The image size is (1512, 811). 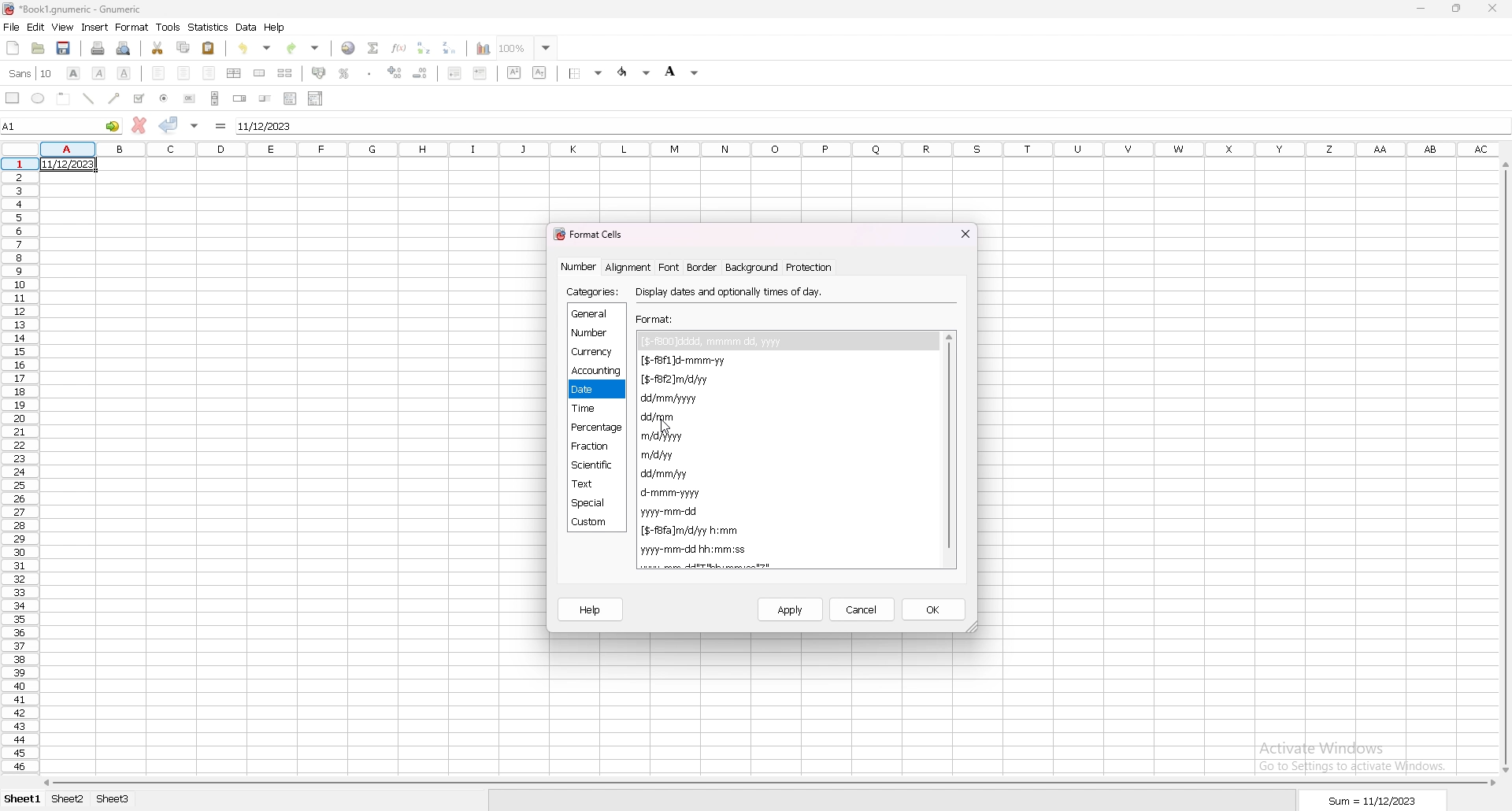 I want to click on scroll bar, so click(x=771, y=783).